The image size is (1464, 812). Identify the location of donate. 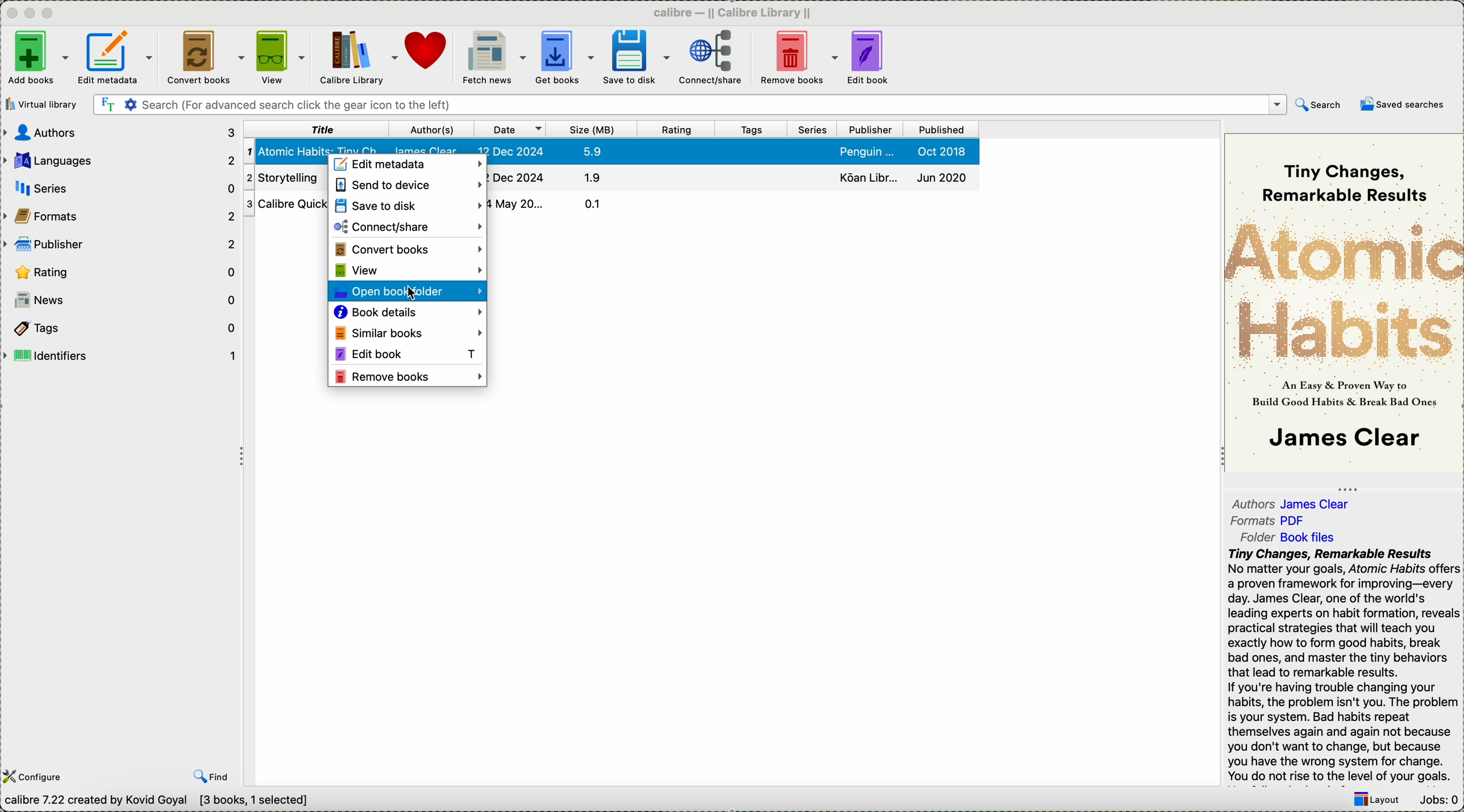
(427, 51).